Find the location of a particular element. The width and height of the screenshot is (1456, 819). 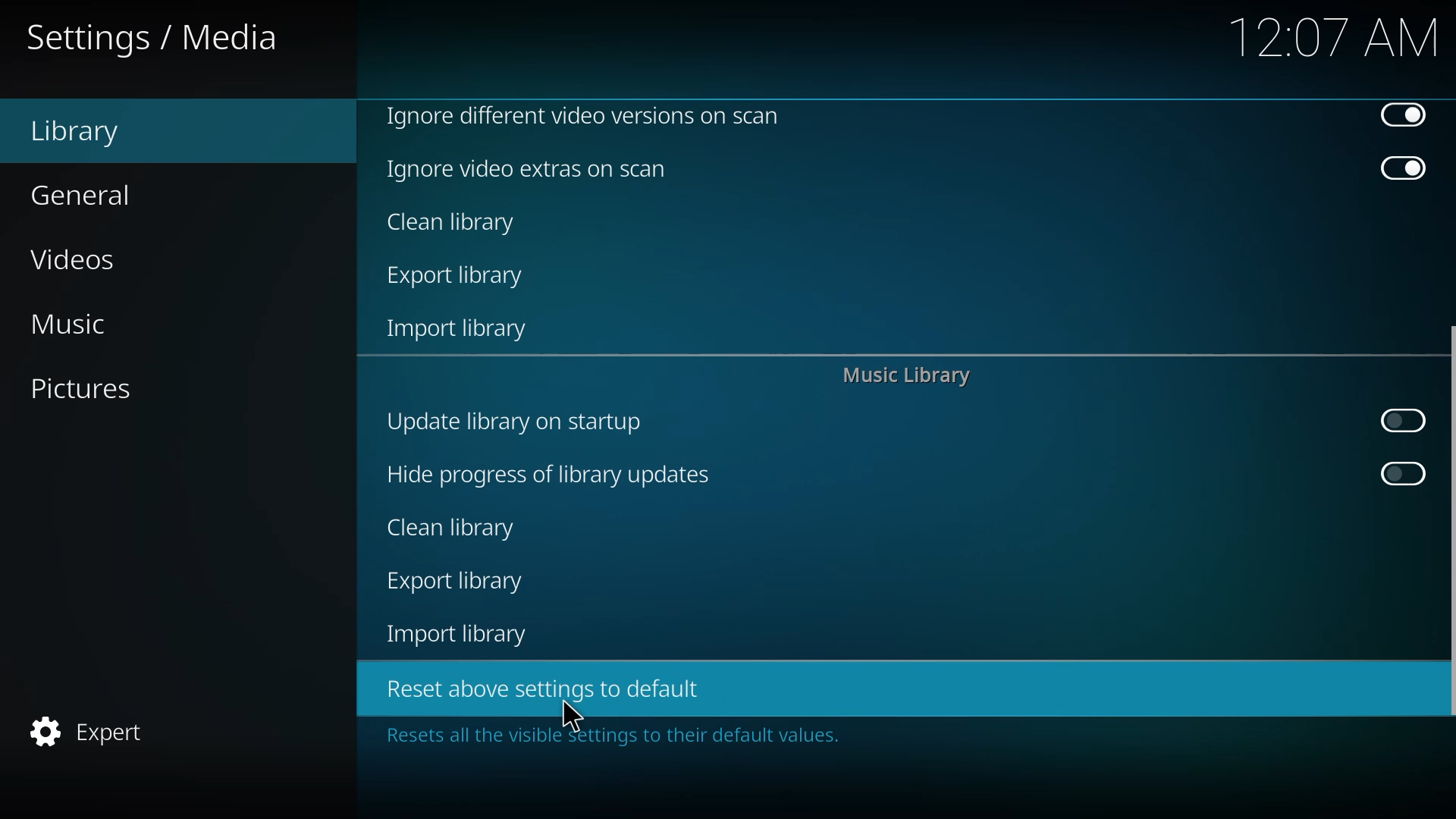

ignore is located at coordinates (582, 115).